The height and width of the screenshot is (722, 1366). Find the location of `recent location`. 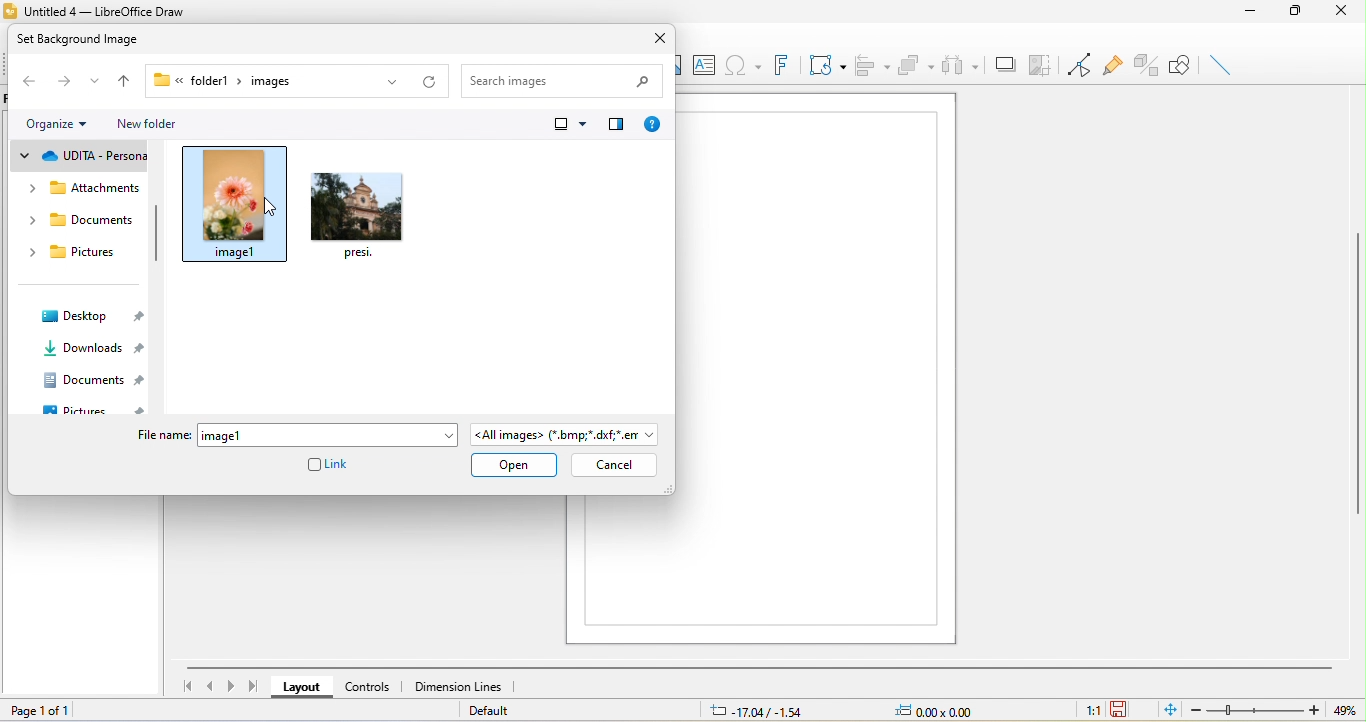

recent location is located at coordinates (91, 82).